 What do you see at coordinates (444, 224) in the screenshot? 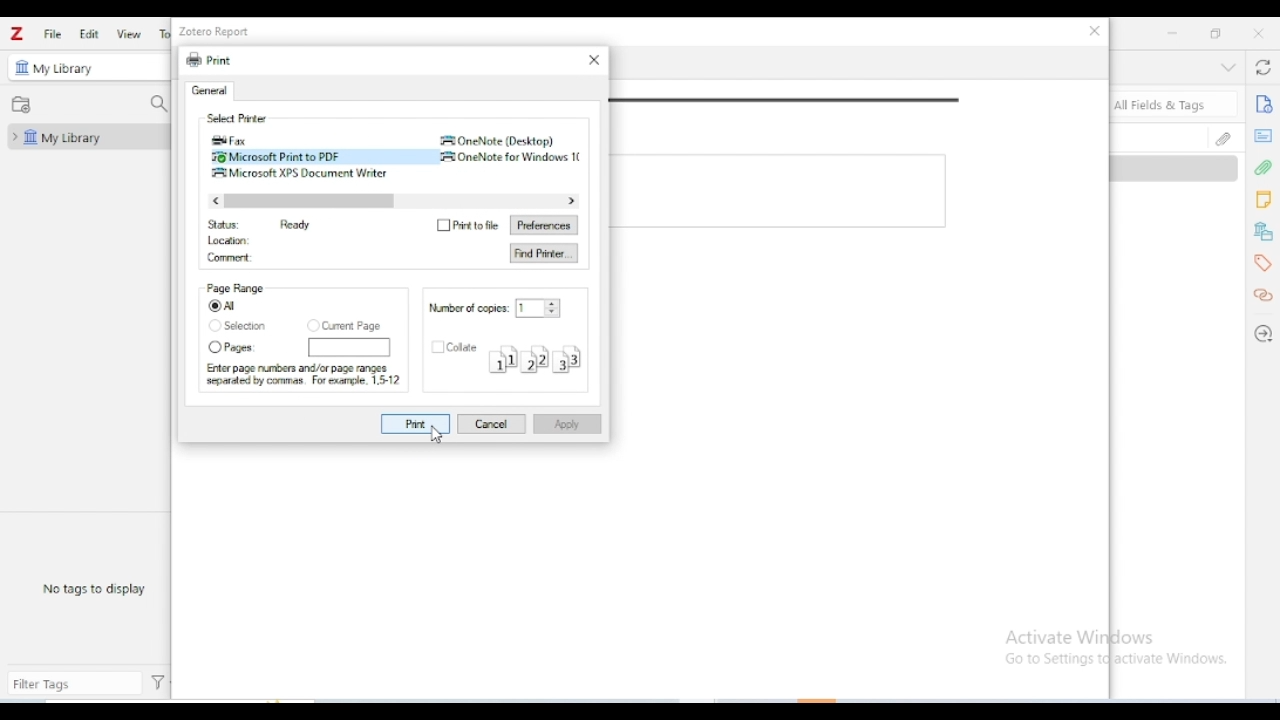
I see `Checkbox` at bounding box center [444, 224].